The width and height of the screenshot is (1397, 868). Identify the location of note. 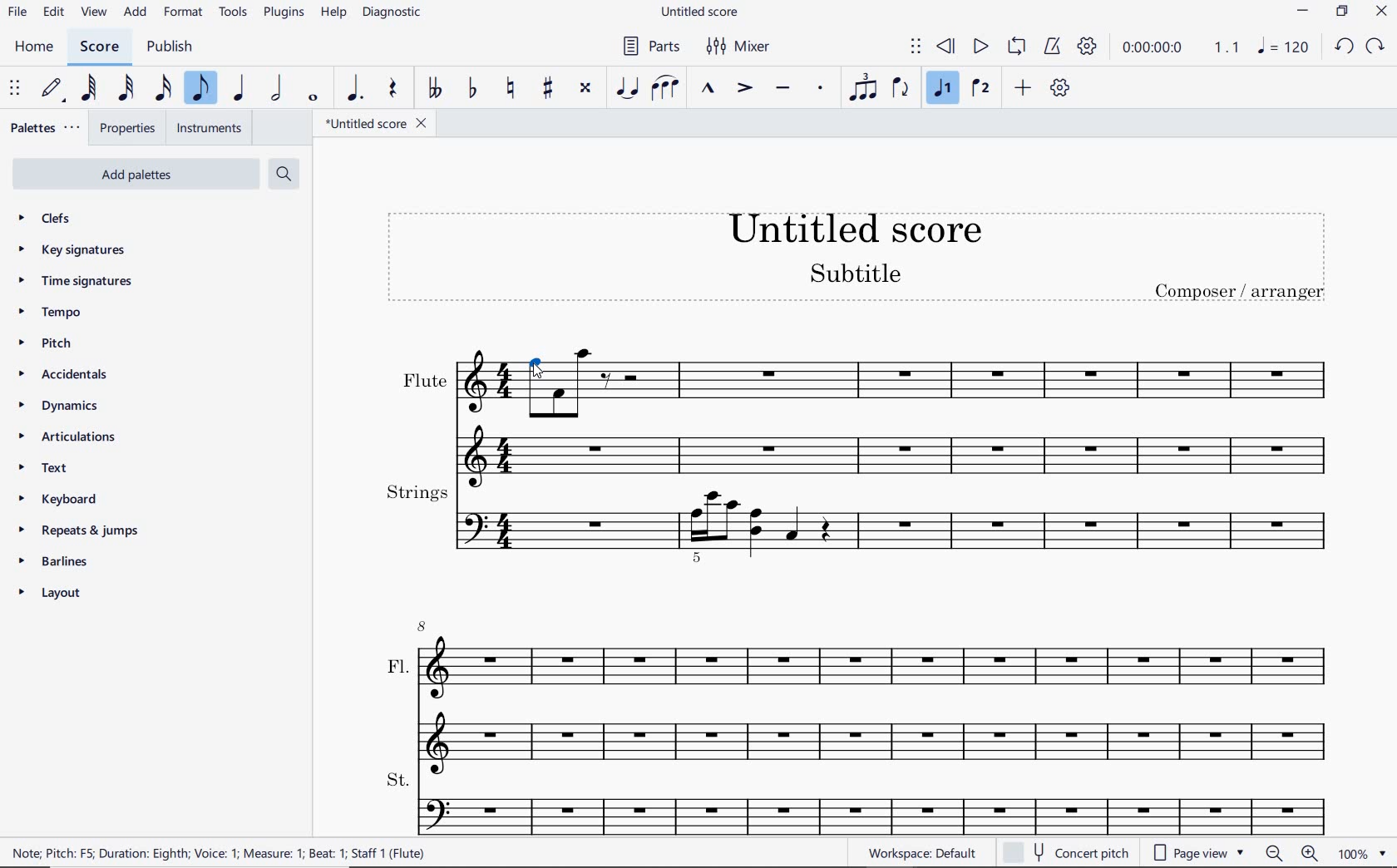
(1282, 47).